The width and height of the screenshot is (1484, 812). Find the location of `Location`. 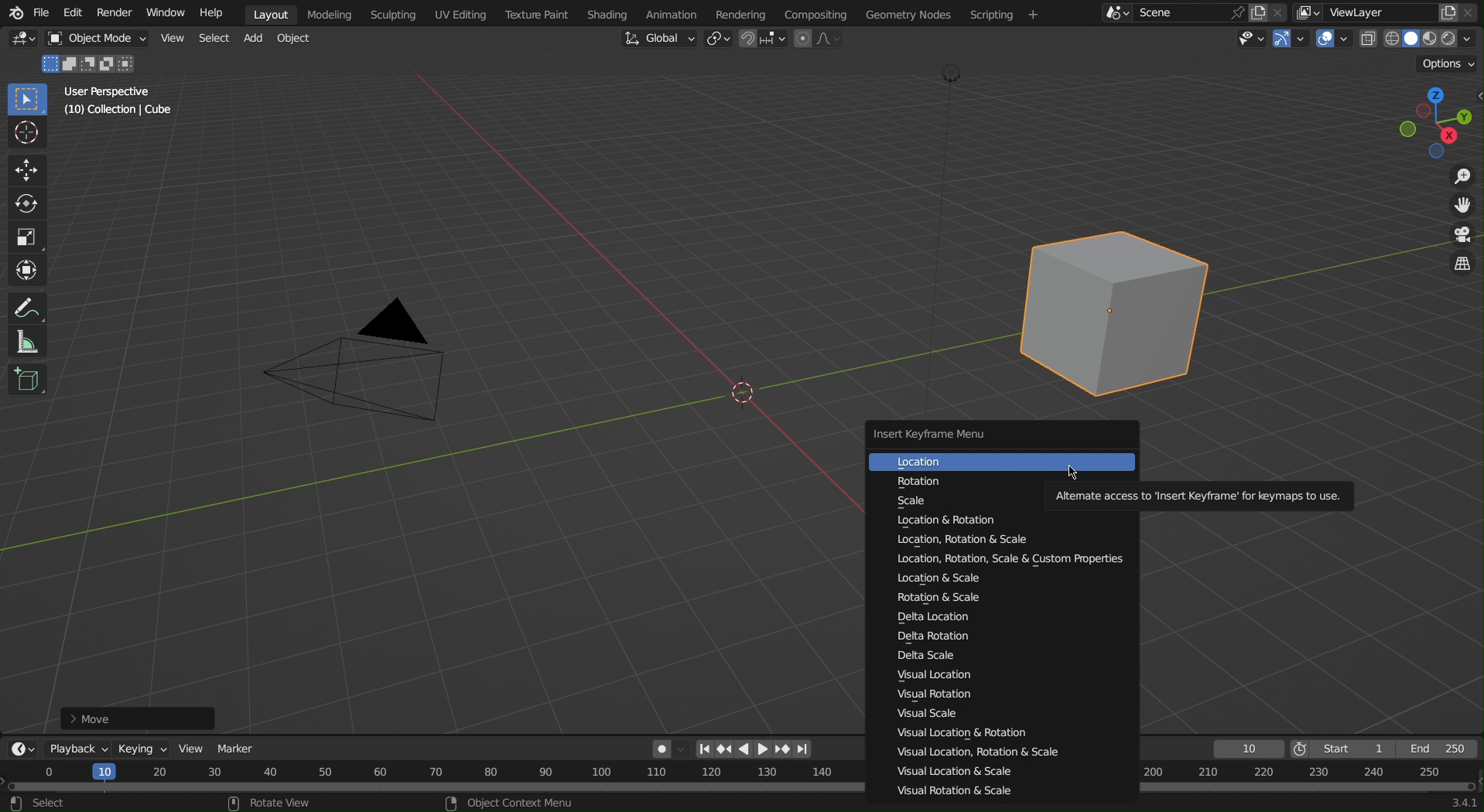

Location is located at coordinates (1005, 461).